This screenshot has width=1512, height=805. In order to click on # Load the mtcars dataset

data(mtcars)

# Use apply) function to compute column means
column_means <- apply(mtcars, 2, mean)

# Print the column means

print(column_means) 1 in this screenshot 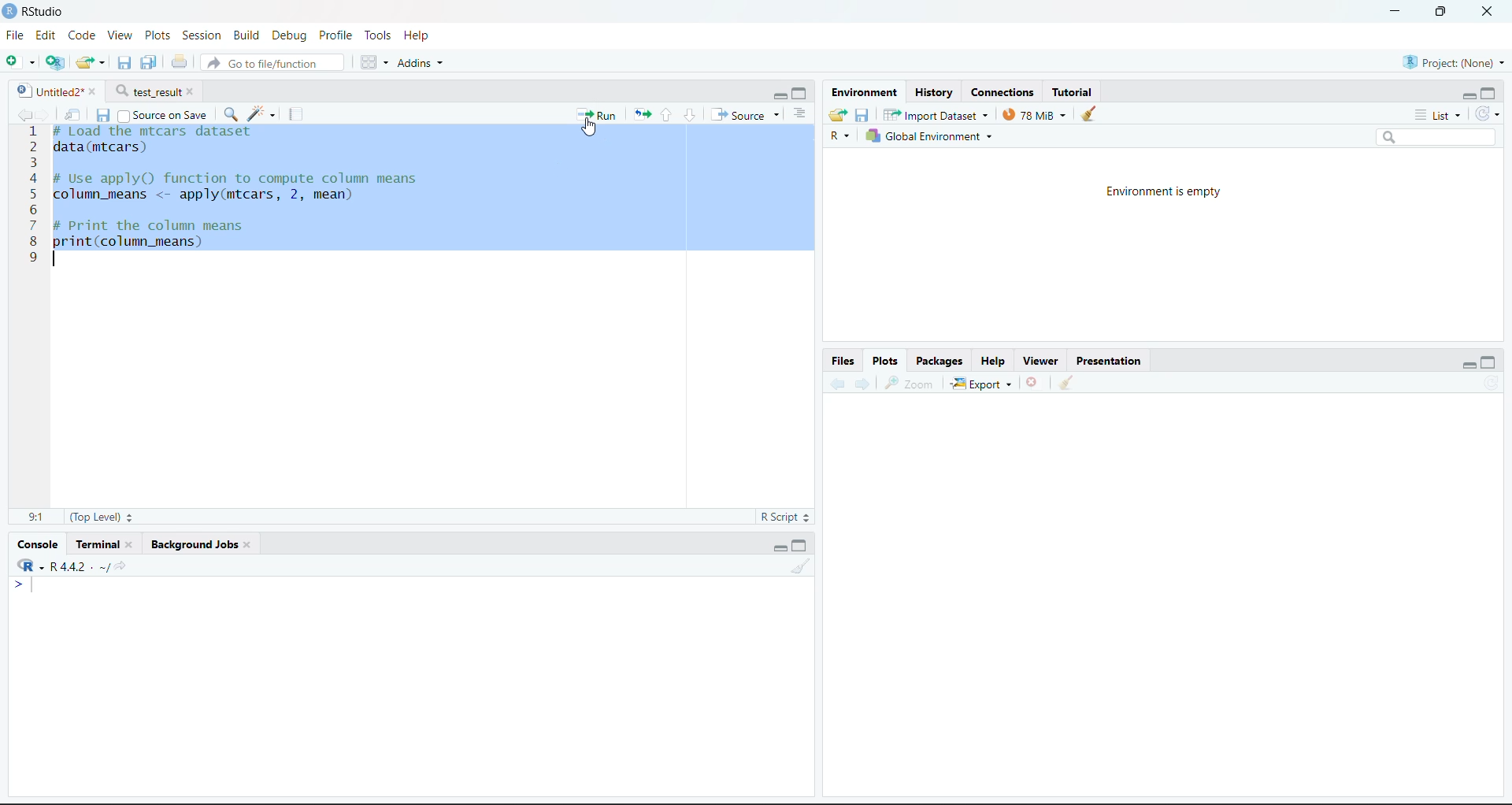, I will do `click(248, 209)`.